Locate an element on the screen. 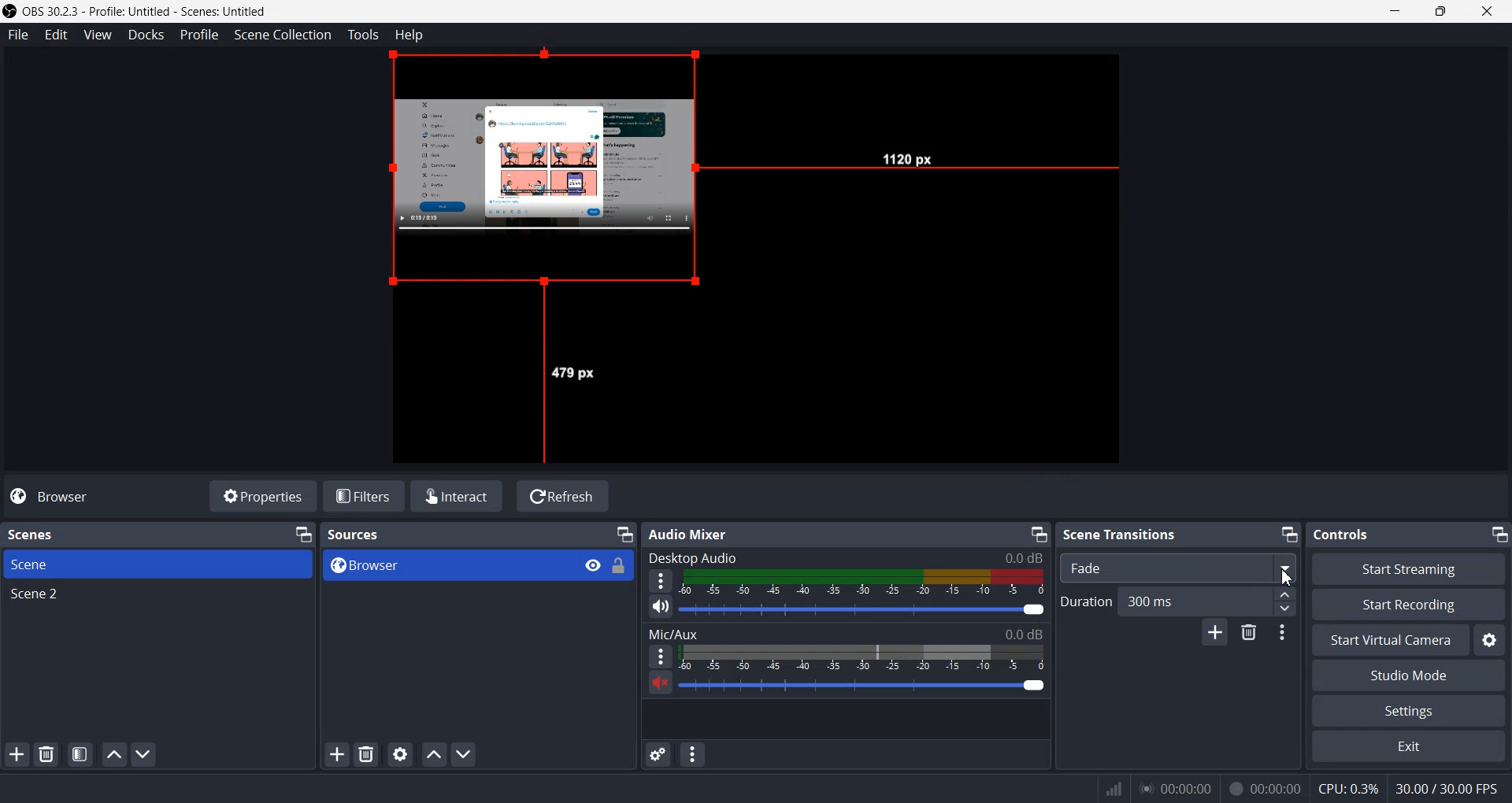 This screenshot has width=1512, height=803. Docks is located at coordinates (146, 35).